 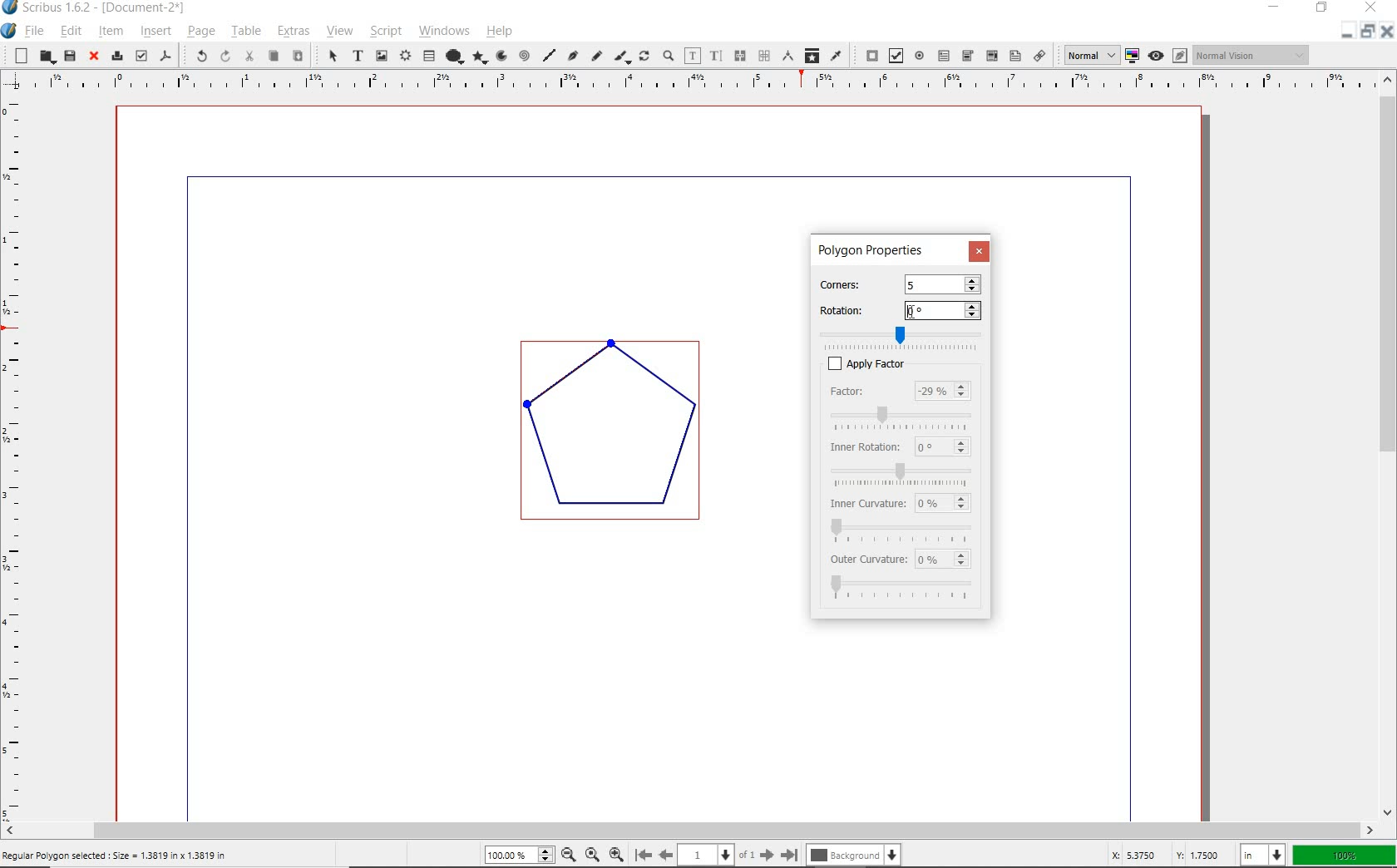 I want to click on INNER ROTATION, so click(x=863, y=446).